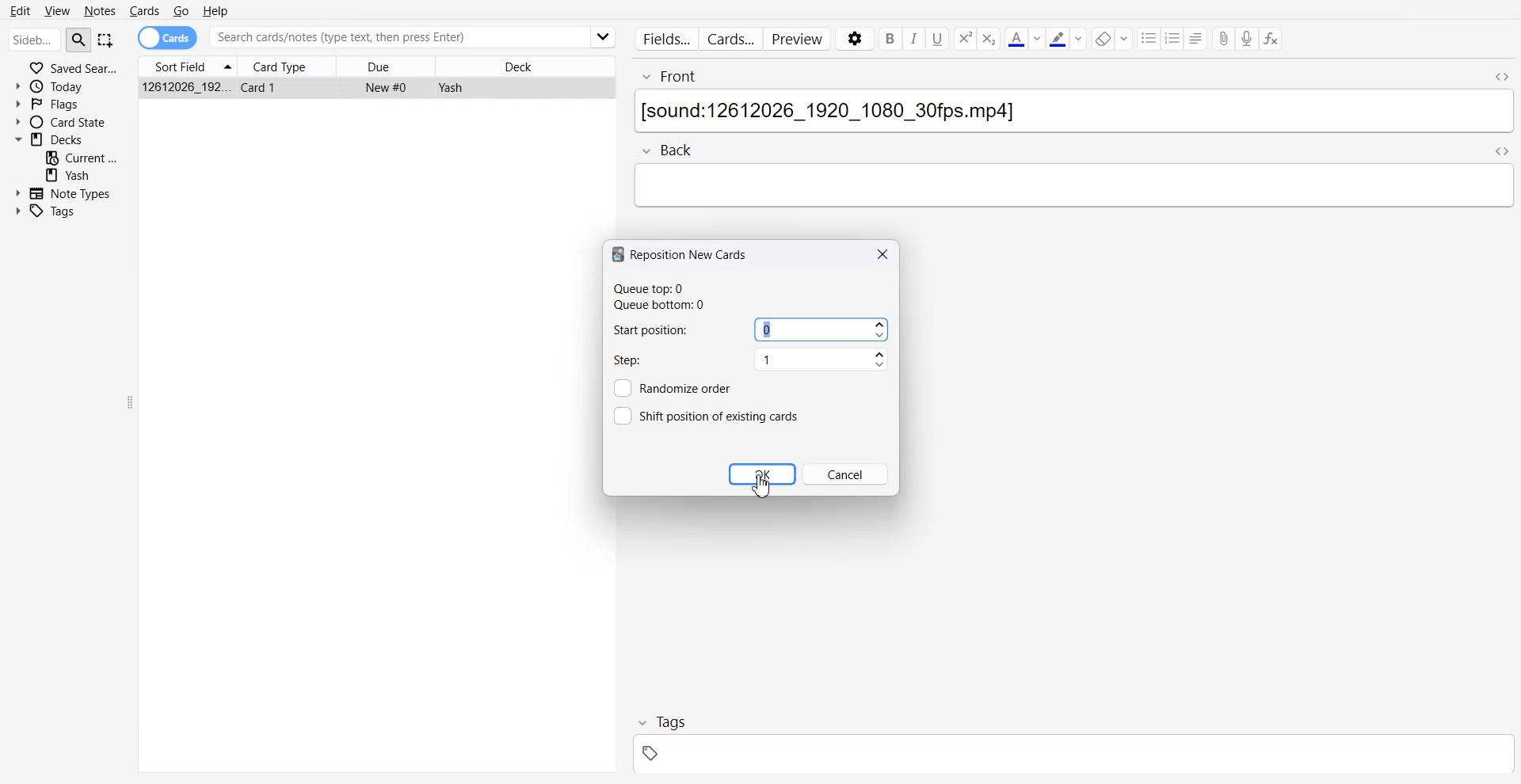 This screenshot has height=784, width=1521. I want to click on Card toggle, so click(168, 36).